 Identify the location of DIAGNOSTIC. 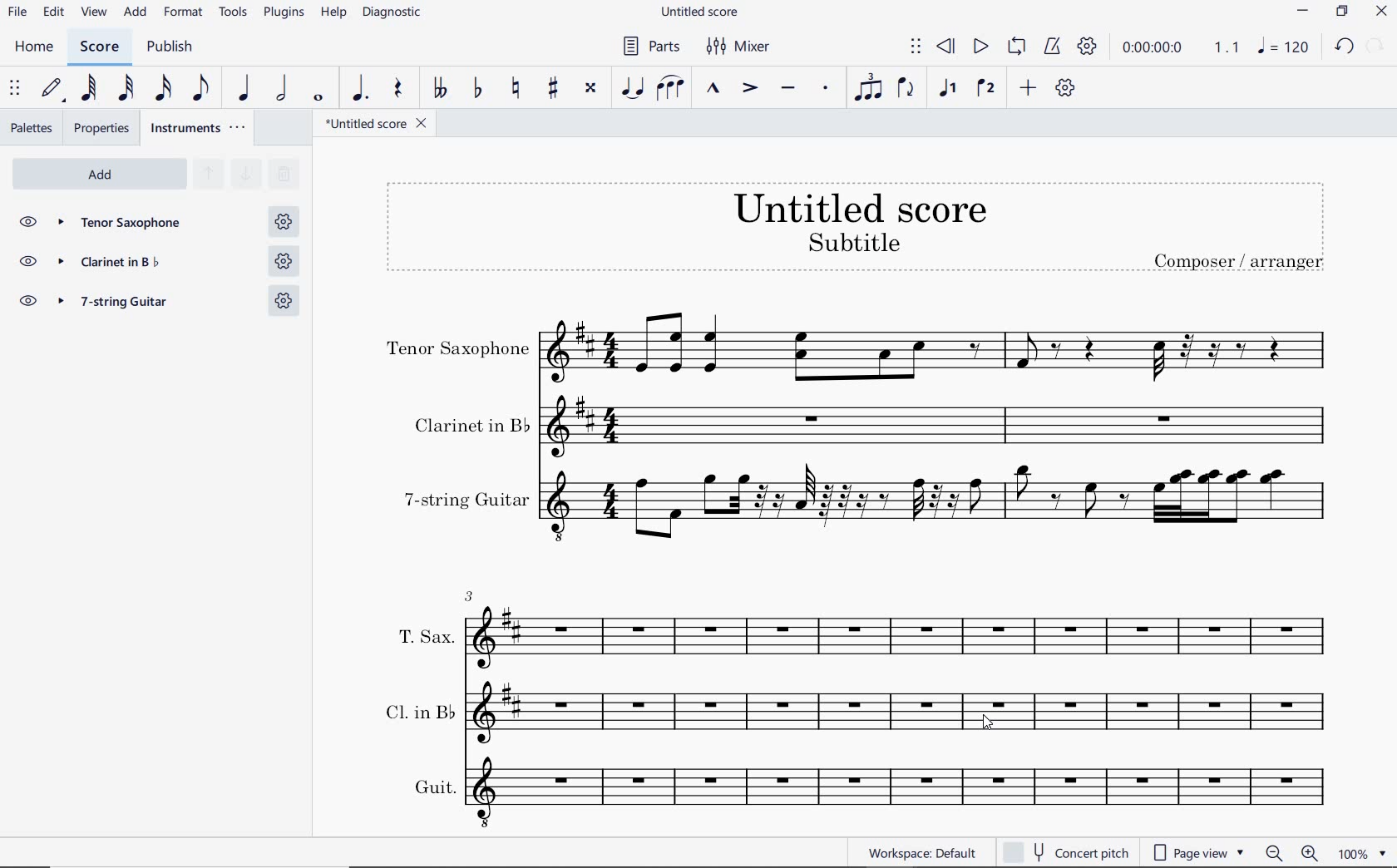
(392, 12).